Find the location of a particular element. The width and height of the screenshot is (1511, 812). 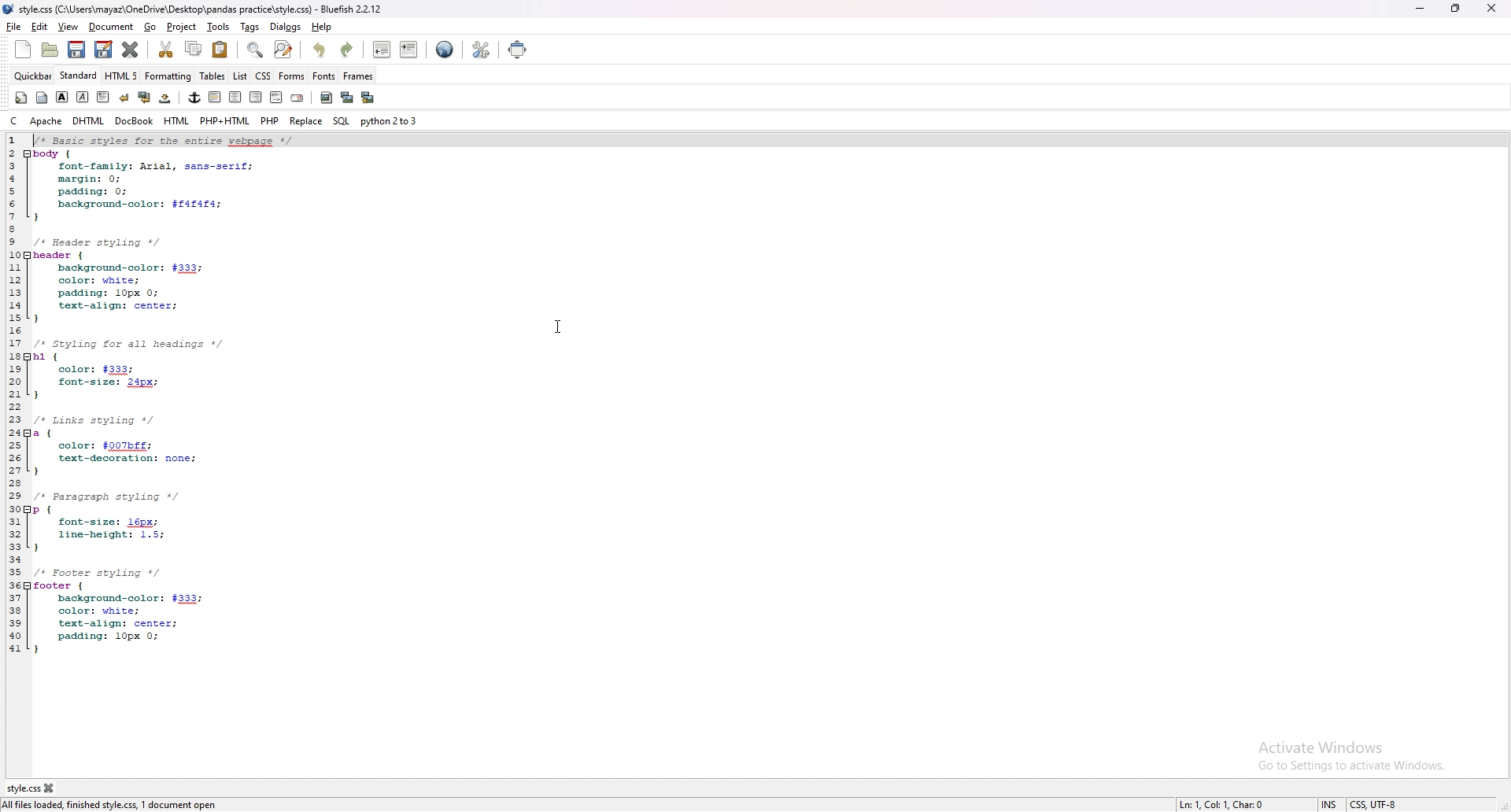

Text, UTF-8 is located at coordinates (1376, 804).